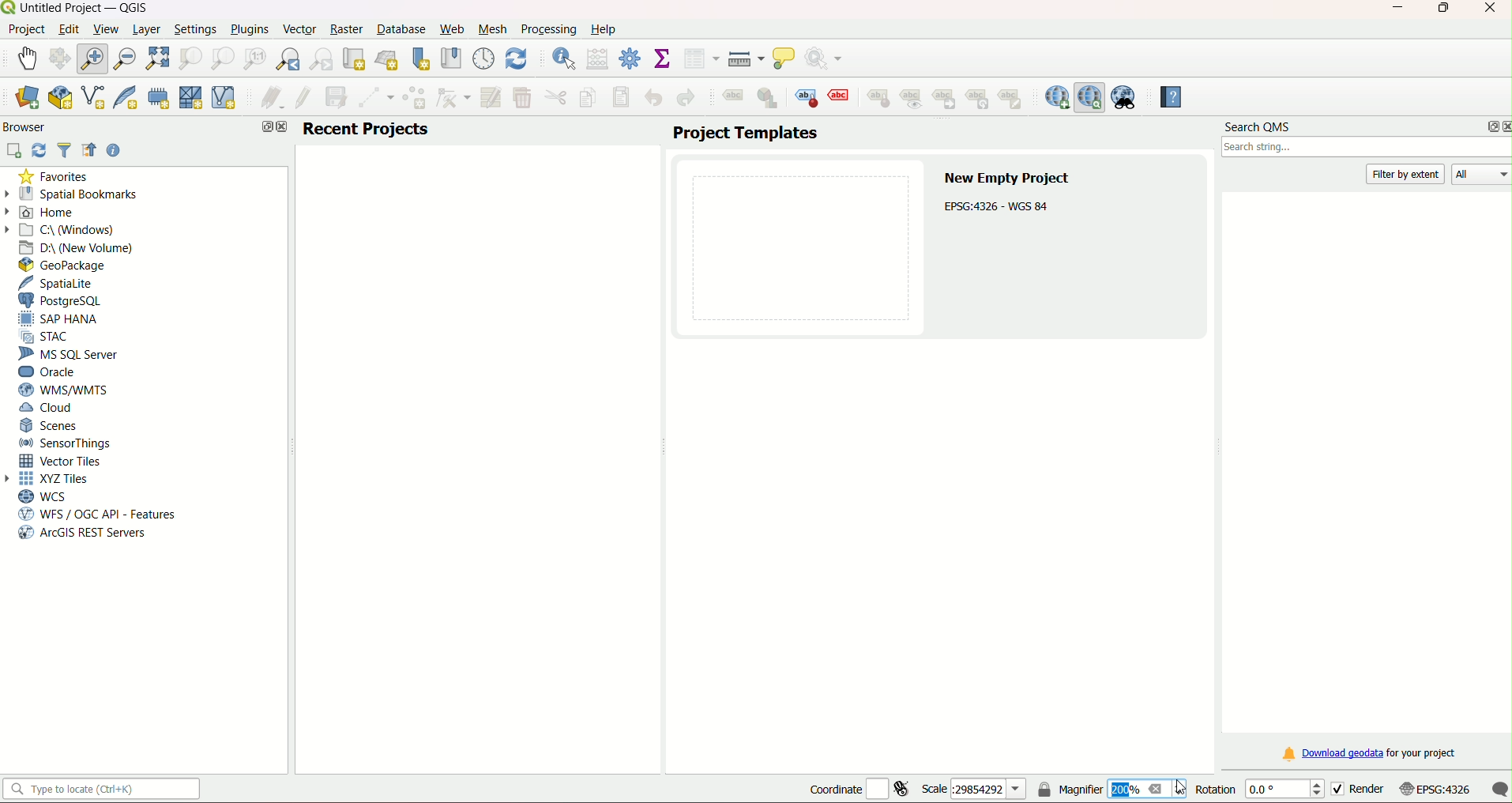  What do you see at coordinates (55, 213) in the screenshot?
I see `home` at bounding box center [55, 213].